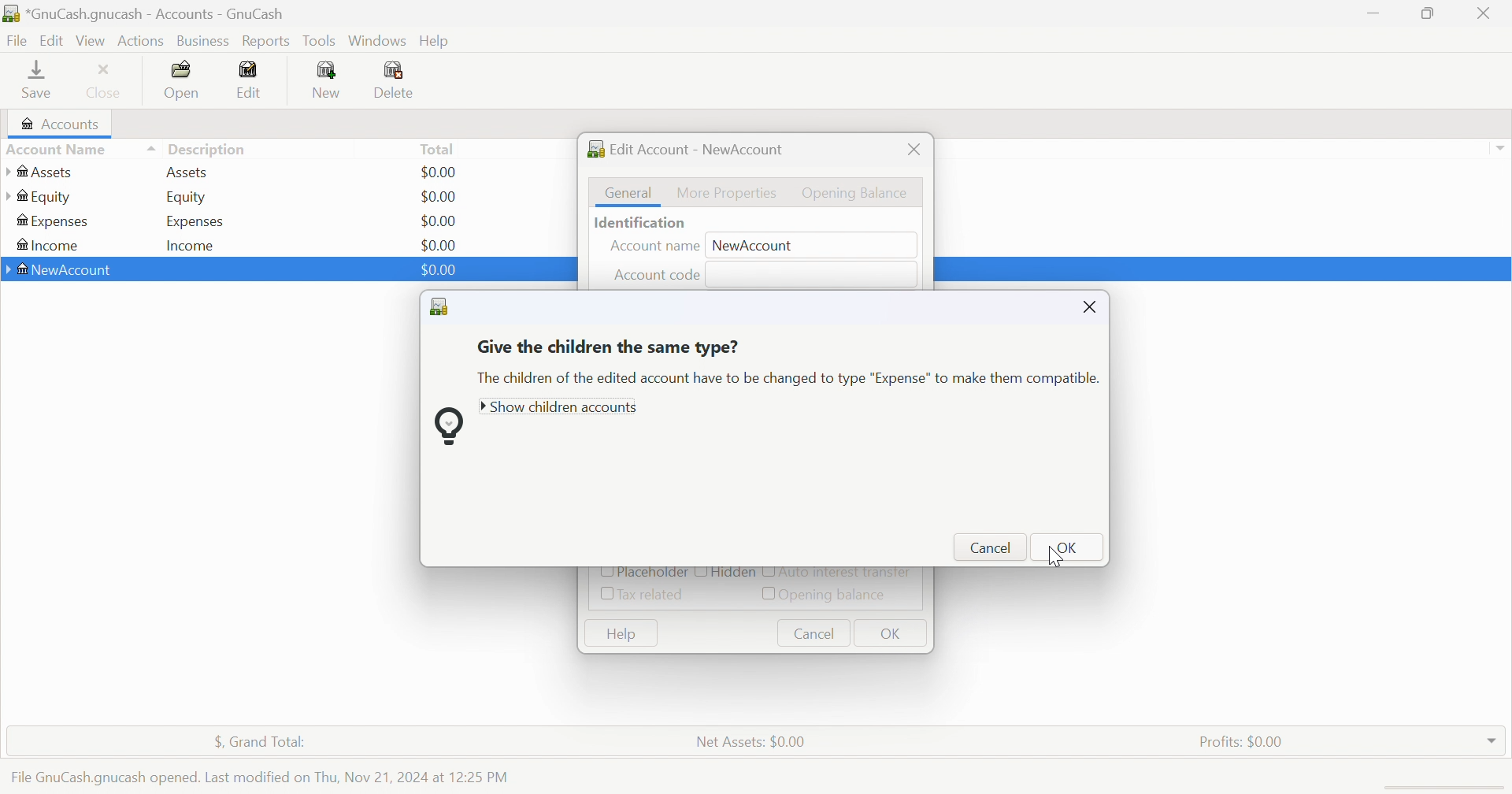 The height and width of the screenshot is (794, 1512). I want to click on Auto intense transfer, so click(850, 574).